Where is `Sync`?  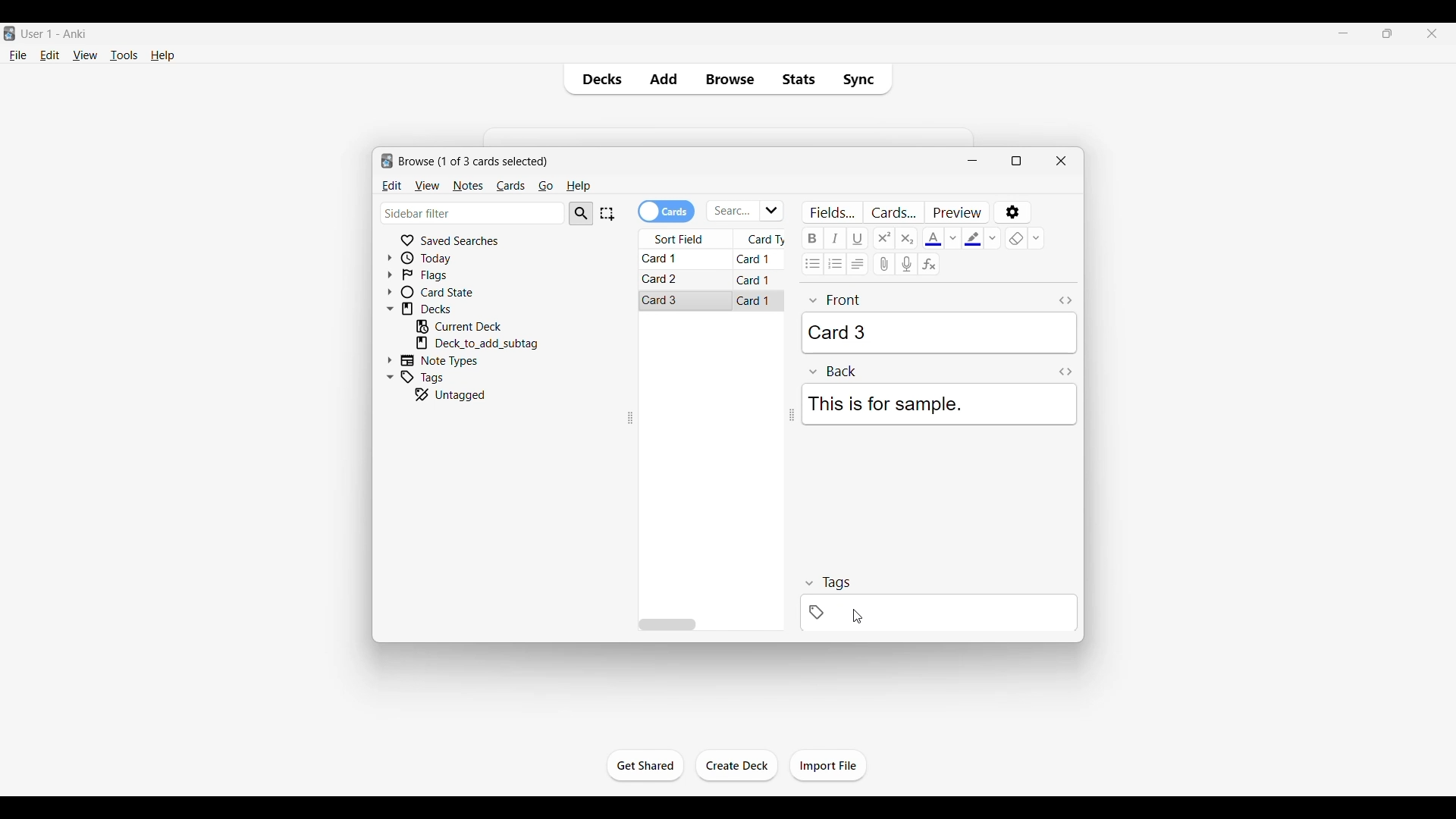 Sync is located at coordinates (862, 79).